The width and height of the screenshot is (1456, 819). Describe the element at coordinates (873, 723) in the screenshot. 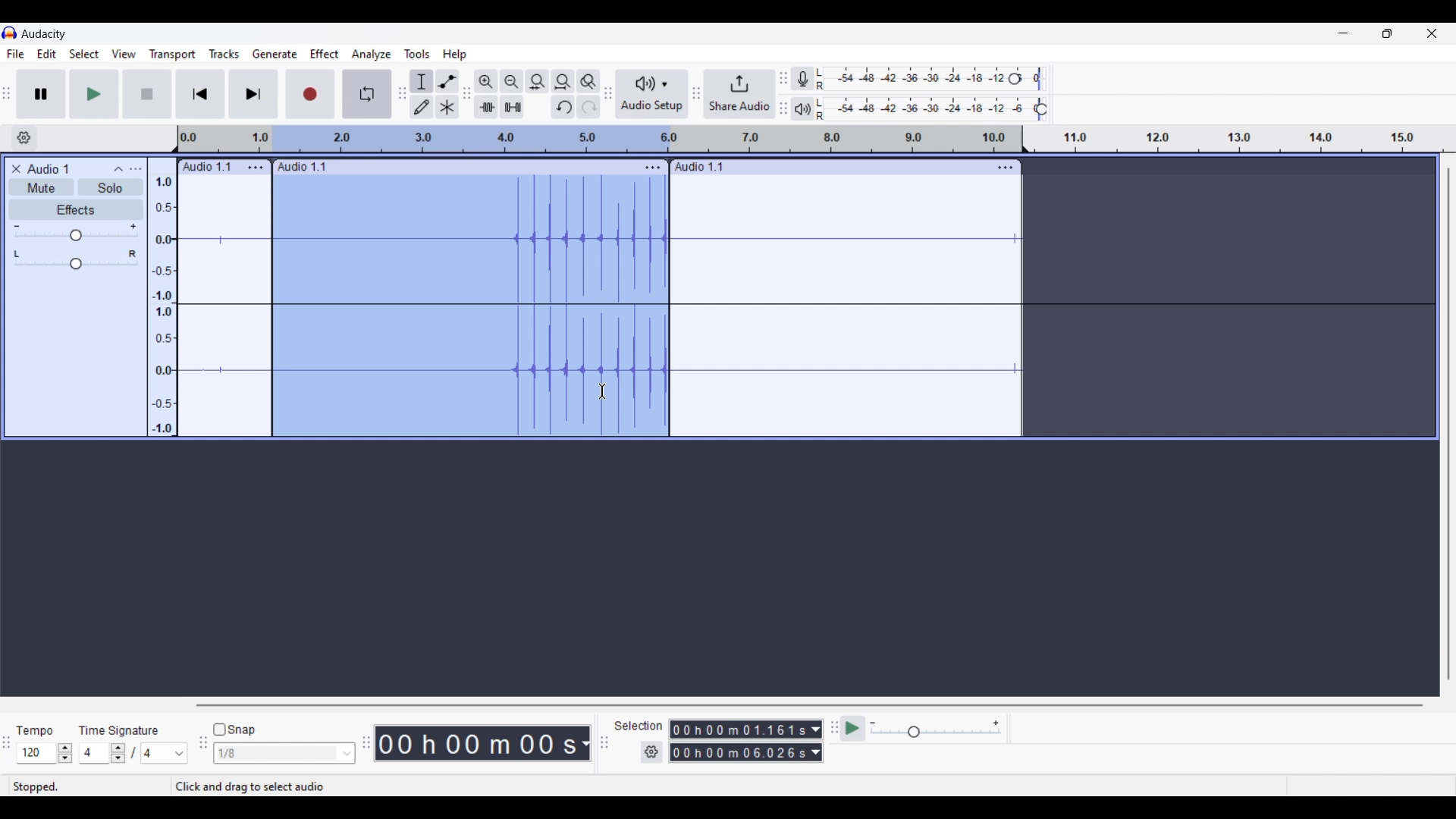

I see `Minimum playback speed` at that location.